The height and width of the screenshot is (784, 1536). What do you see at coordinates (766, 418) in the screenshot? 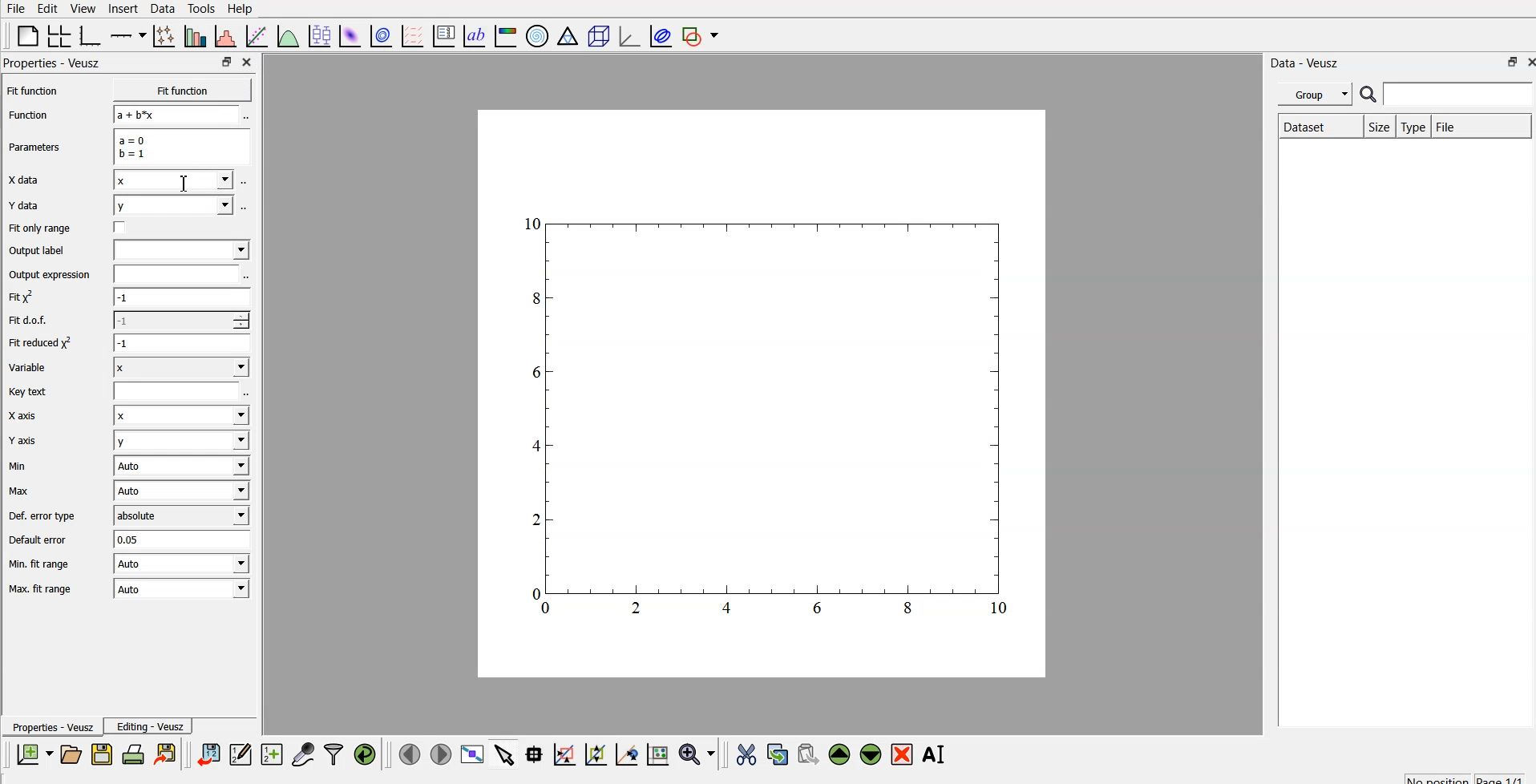
I see `graph` at bounding box center [766, 418].